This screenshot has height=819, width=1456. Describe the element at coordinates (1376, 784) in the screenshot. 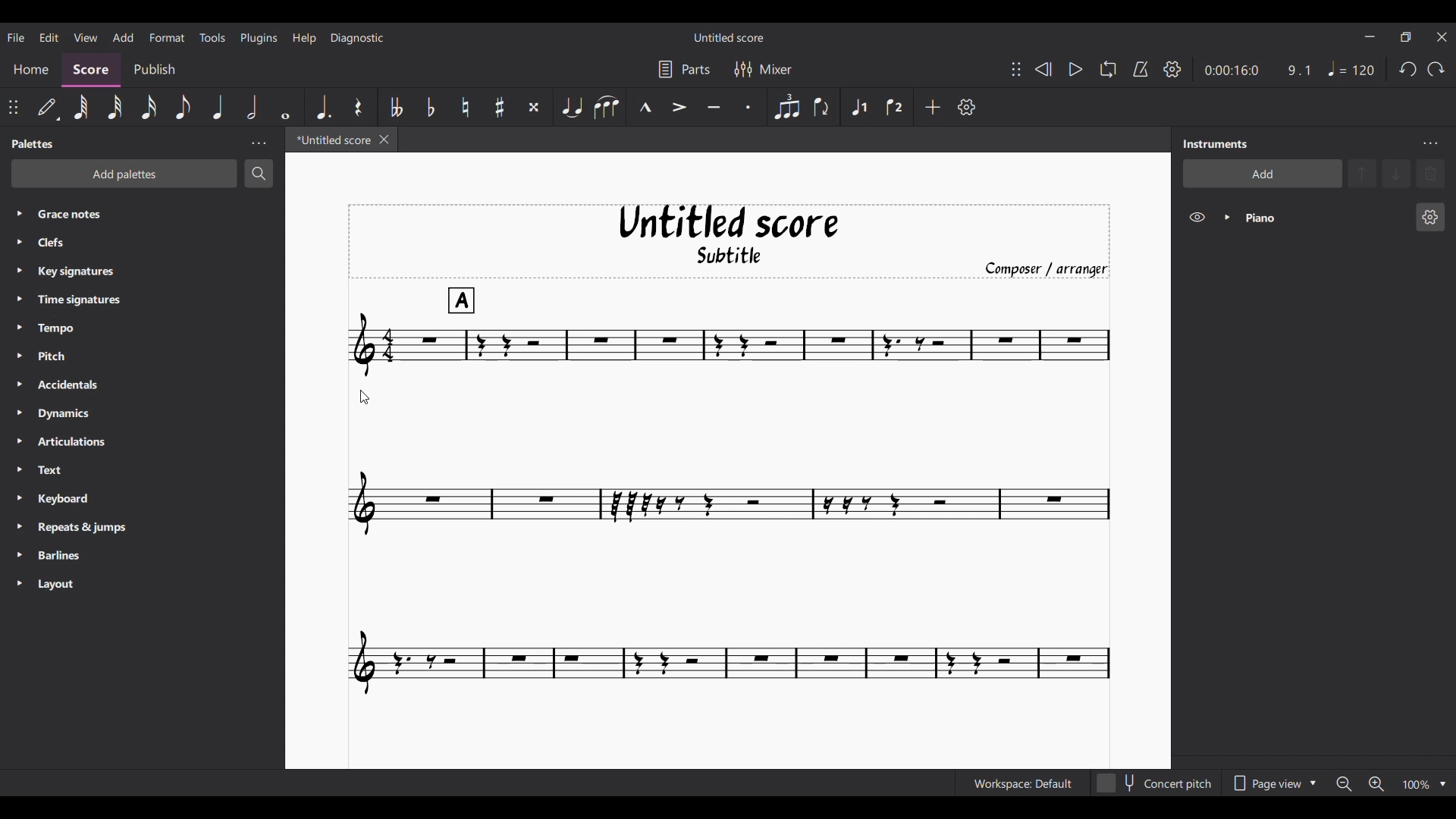

I see `Zoom in` at that location.